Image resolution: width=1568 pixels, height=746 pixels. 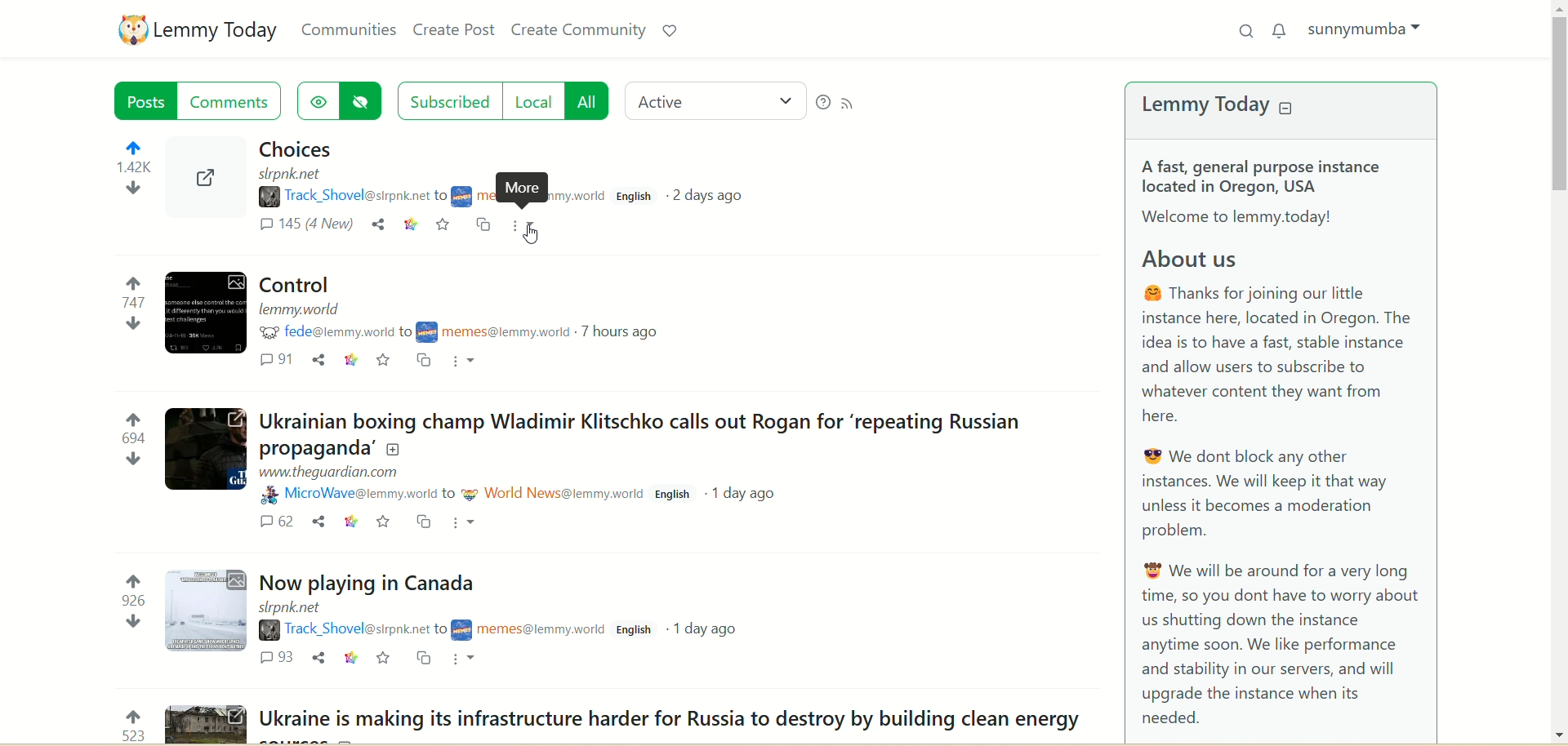 I want to click on community, so click(x=554, y=494).